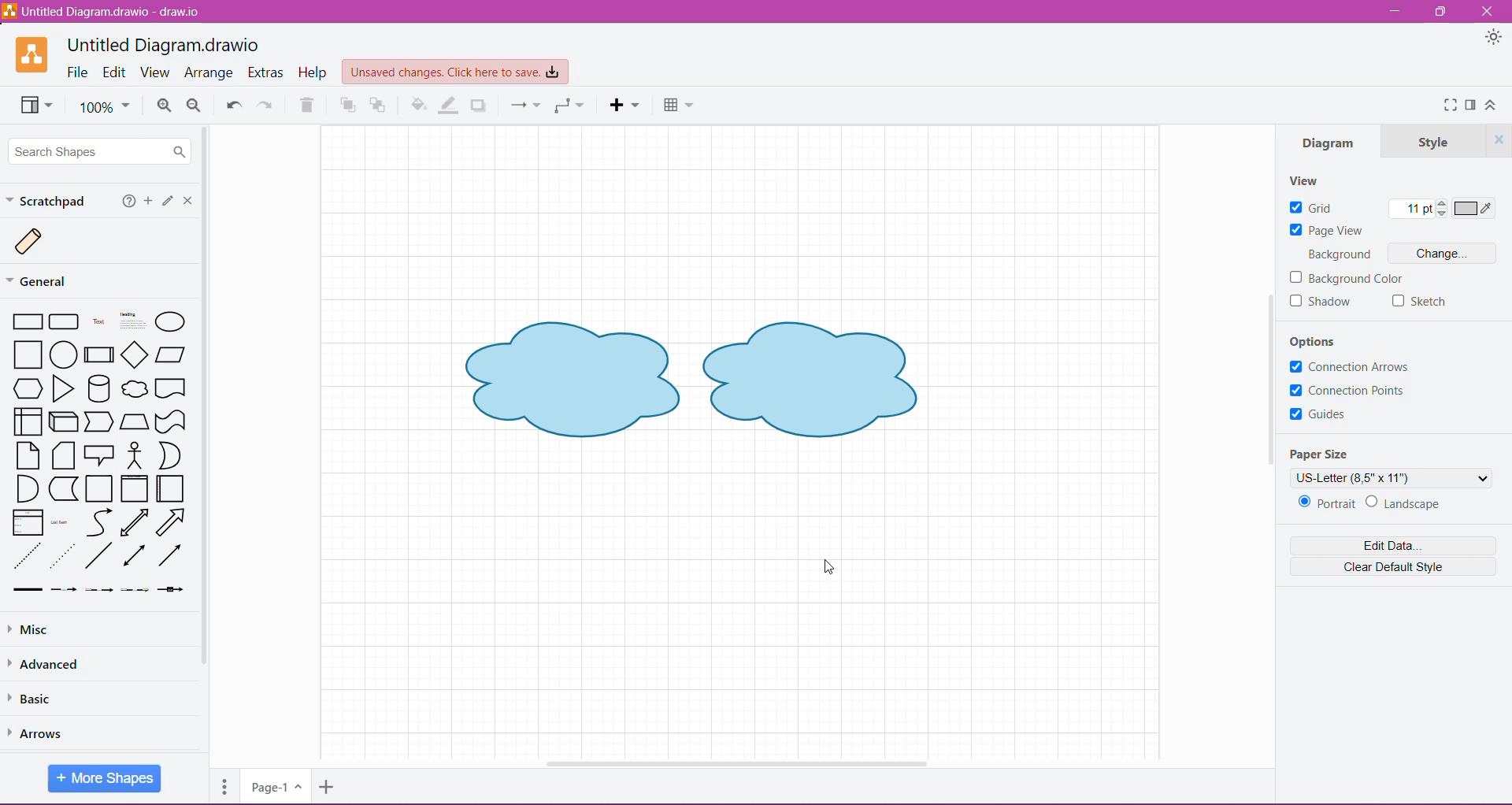  I want to click on Sketch, so click(1420, 302).